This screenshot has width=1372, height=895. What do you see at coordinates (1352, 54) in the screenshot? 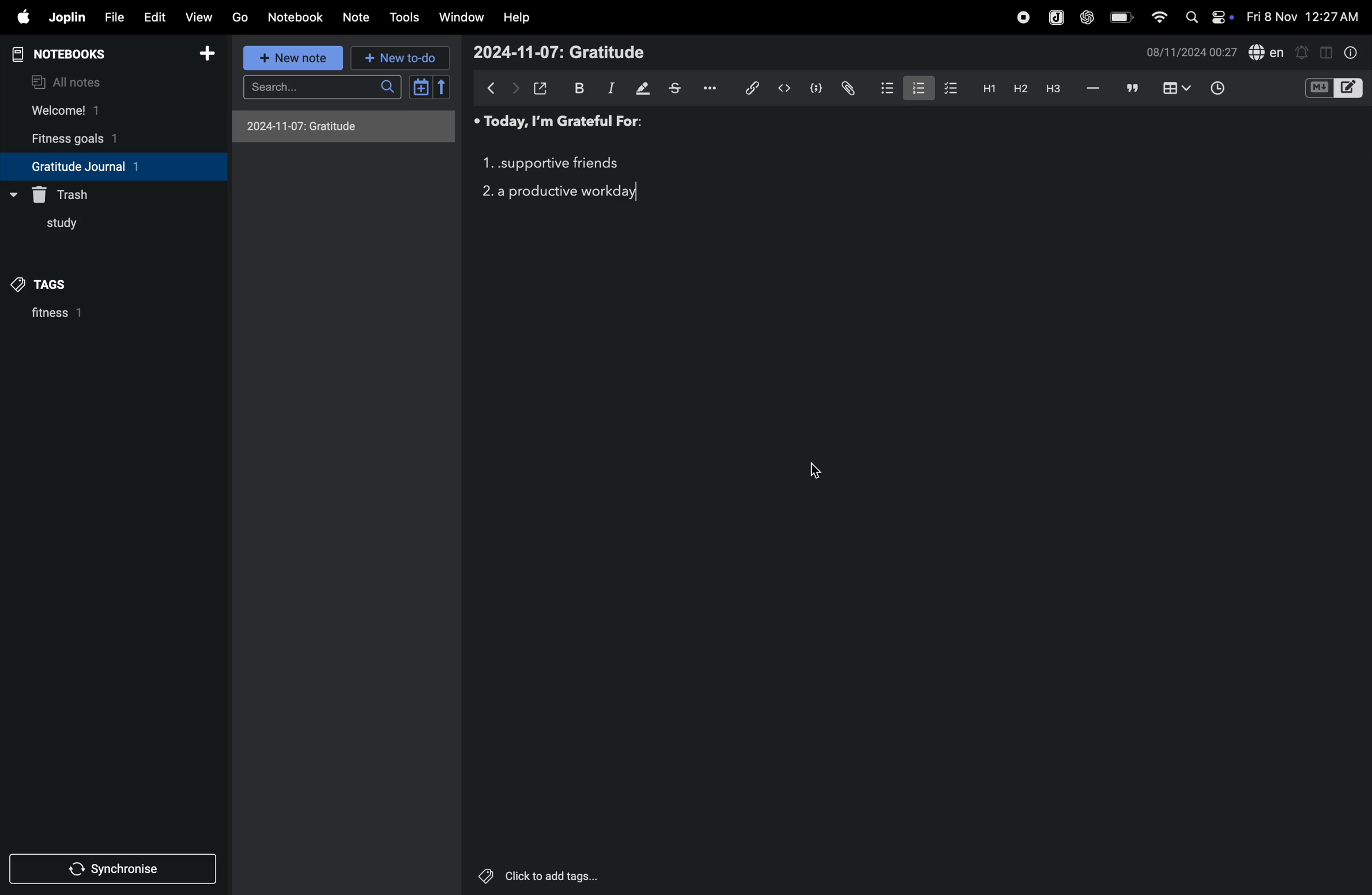
I see `info` at bounding box center [1352, 54].